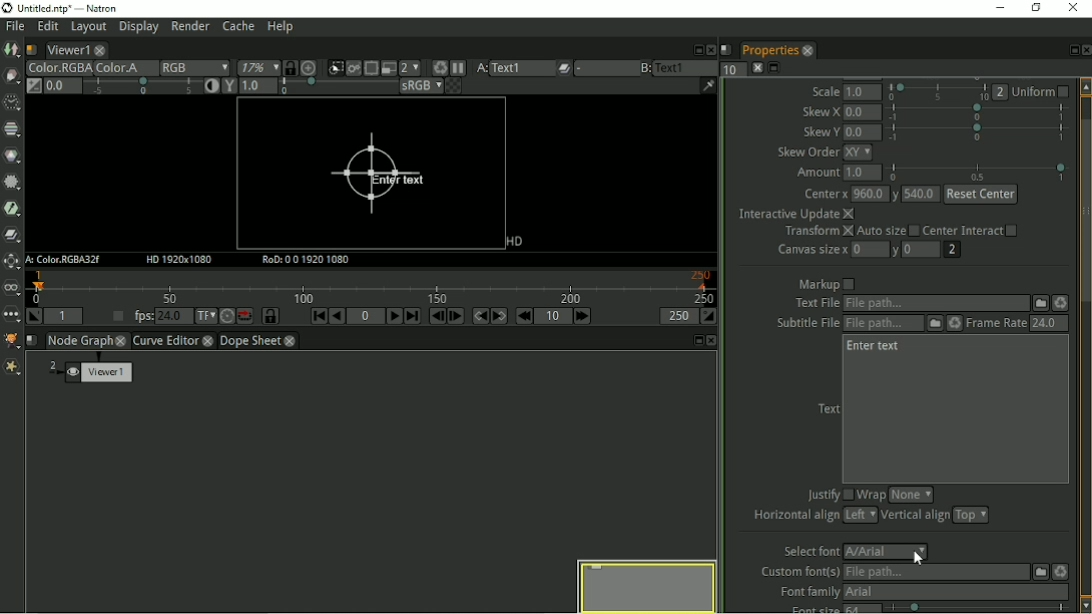 Image resolution: width=1092 pixels, height=614 pixels. What do you see at coordinates (13, 130) in the screenshot?
I see `` at bounding box center [13, 130].